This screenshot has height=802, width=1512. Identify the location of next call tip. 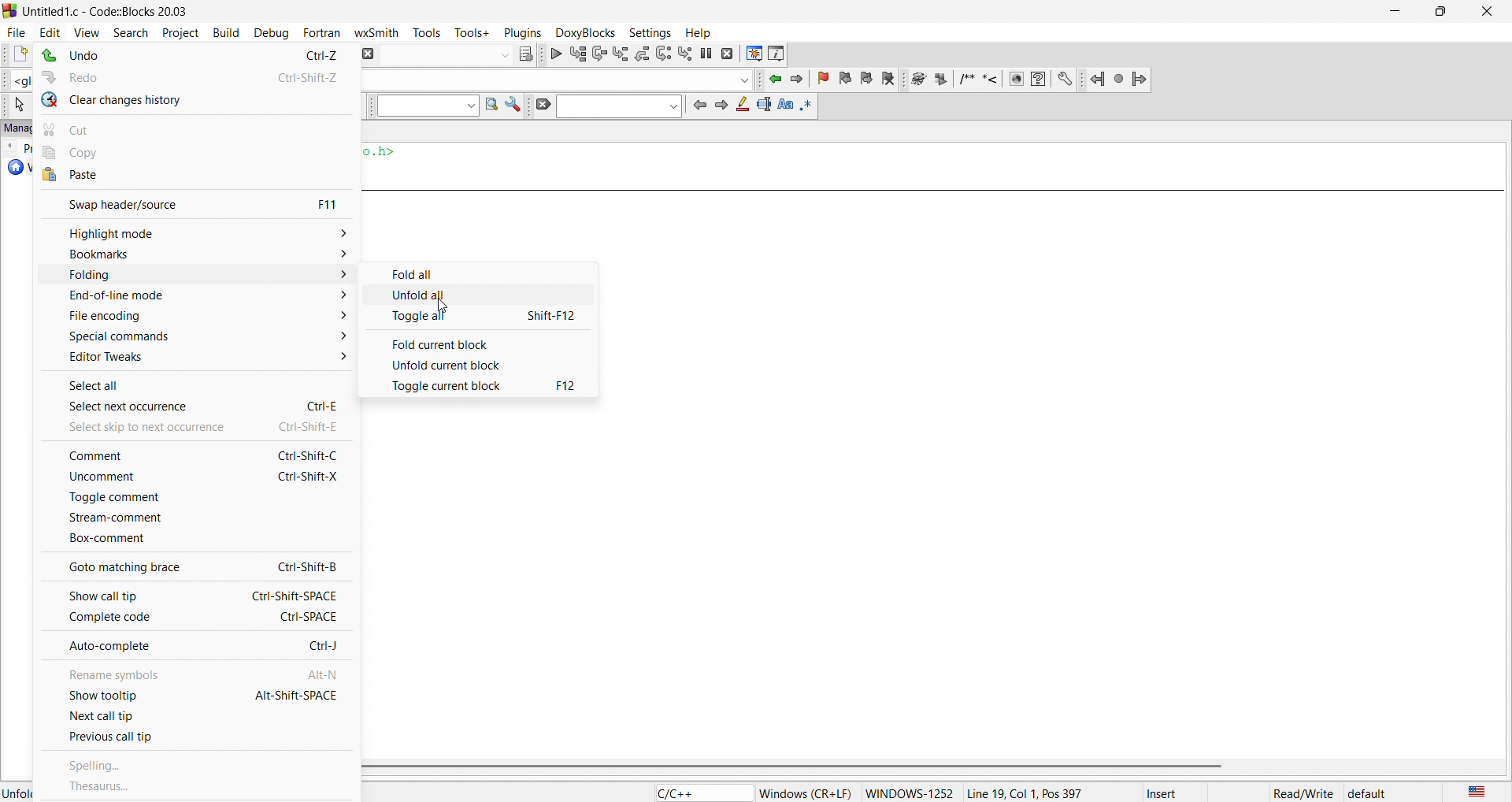
(197, 717).